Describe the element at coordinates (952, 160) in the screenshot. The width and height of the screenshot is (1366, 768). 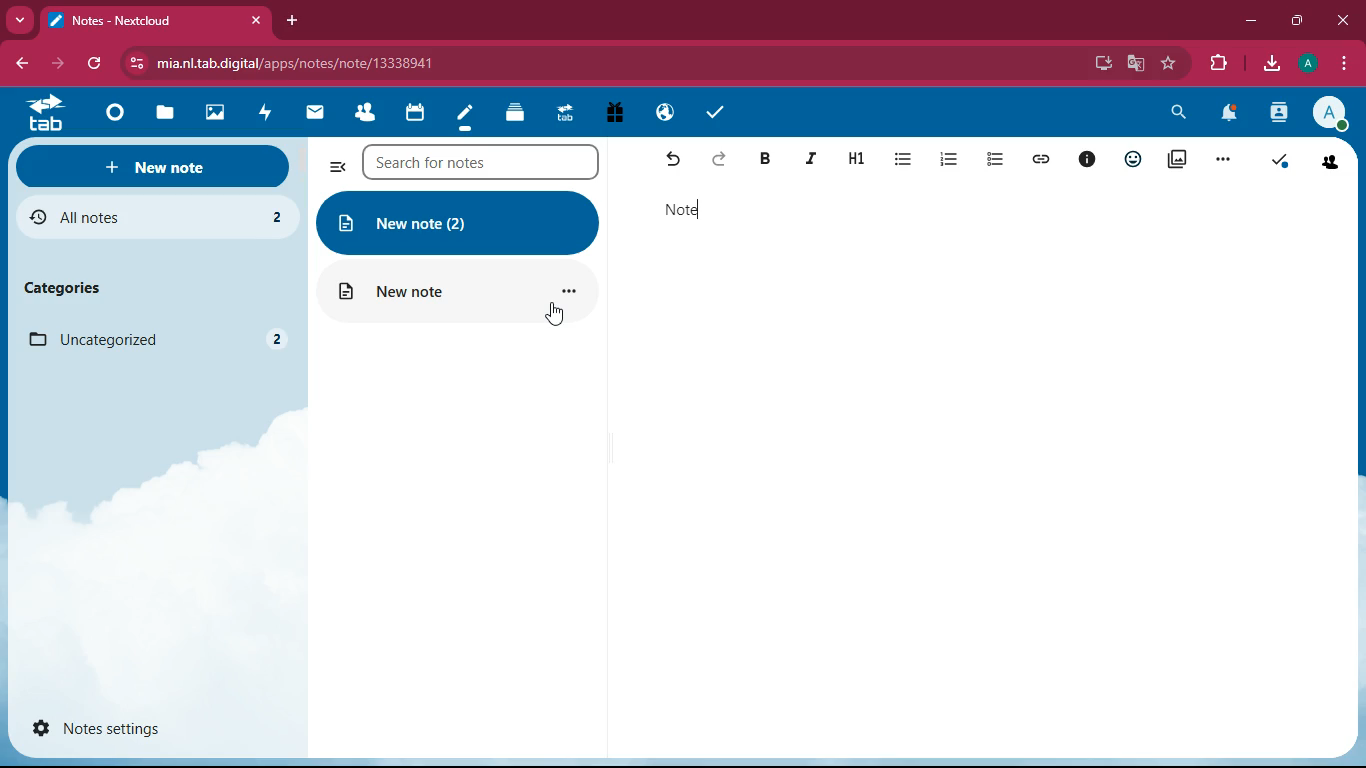
I see `list` at that location.